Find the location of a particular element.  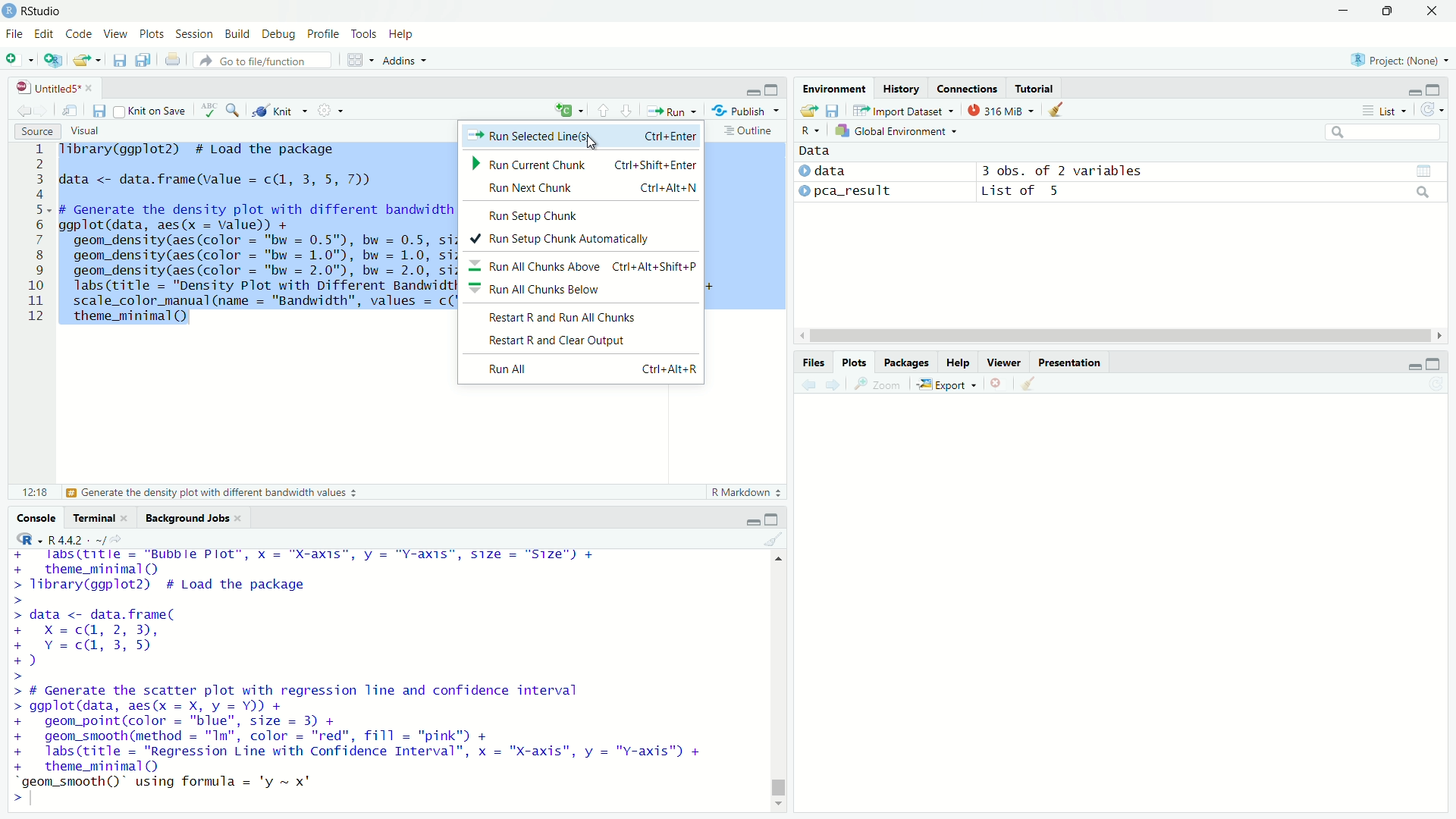

Addins is located at coordinates (405, 61).